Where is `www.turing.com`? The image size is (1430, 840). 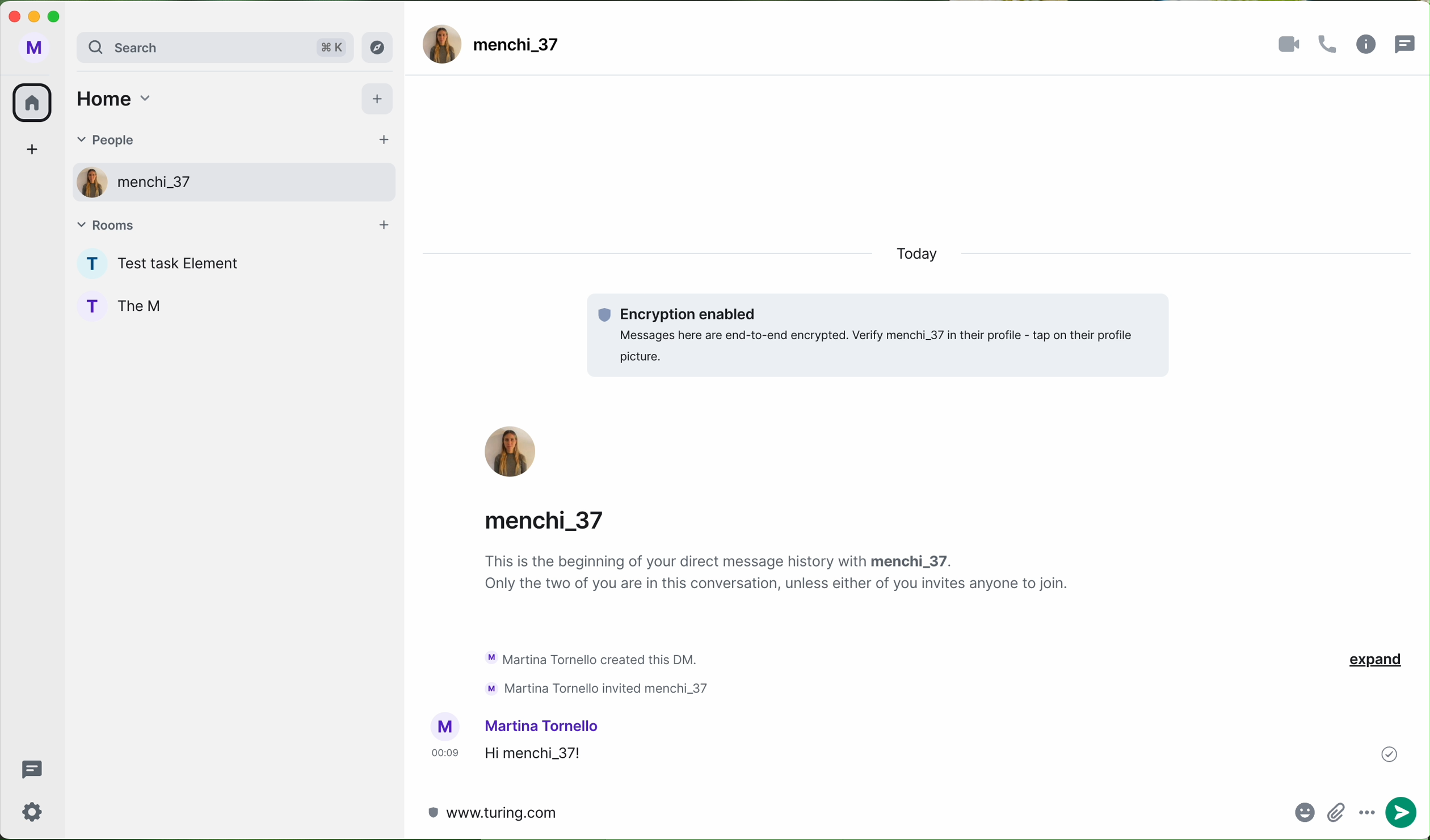
www.turing.com is located at coordinates (495, 812).